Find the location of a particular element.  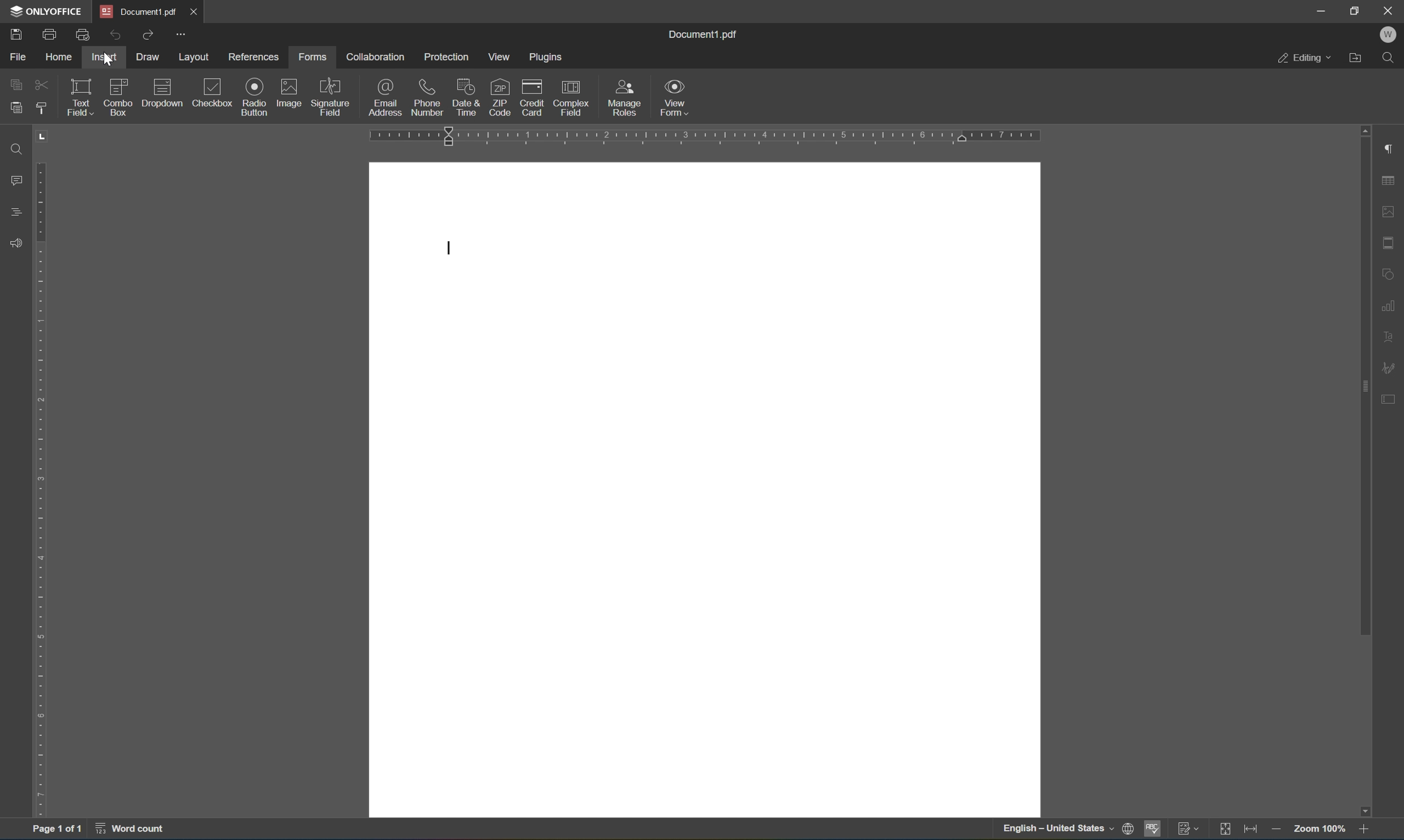

email address is located at coordinates (382, 97).